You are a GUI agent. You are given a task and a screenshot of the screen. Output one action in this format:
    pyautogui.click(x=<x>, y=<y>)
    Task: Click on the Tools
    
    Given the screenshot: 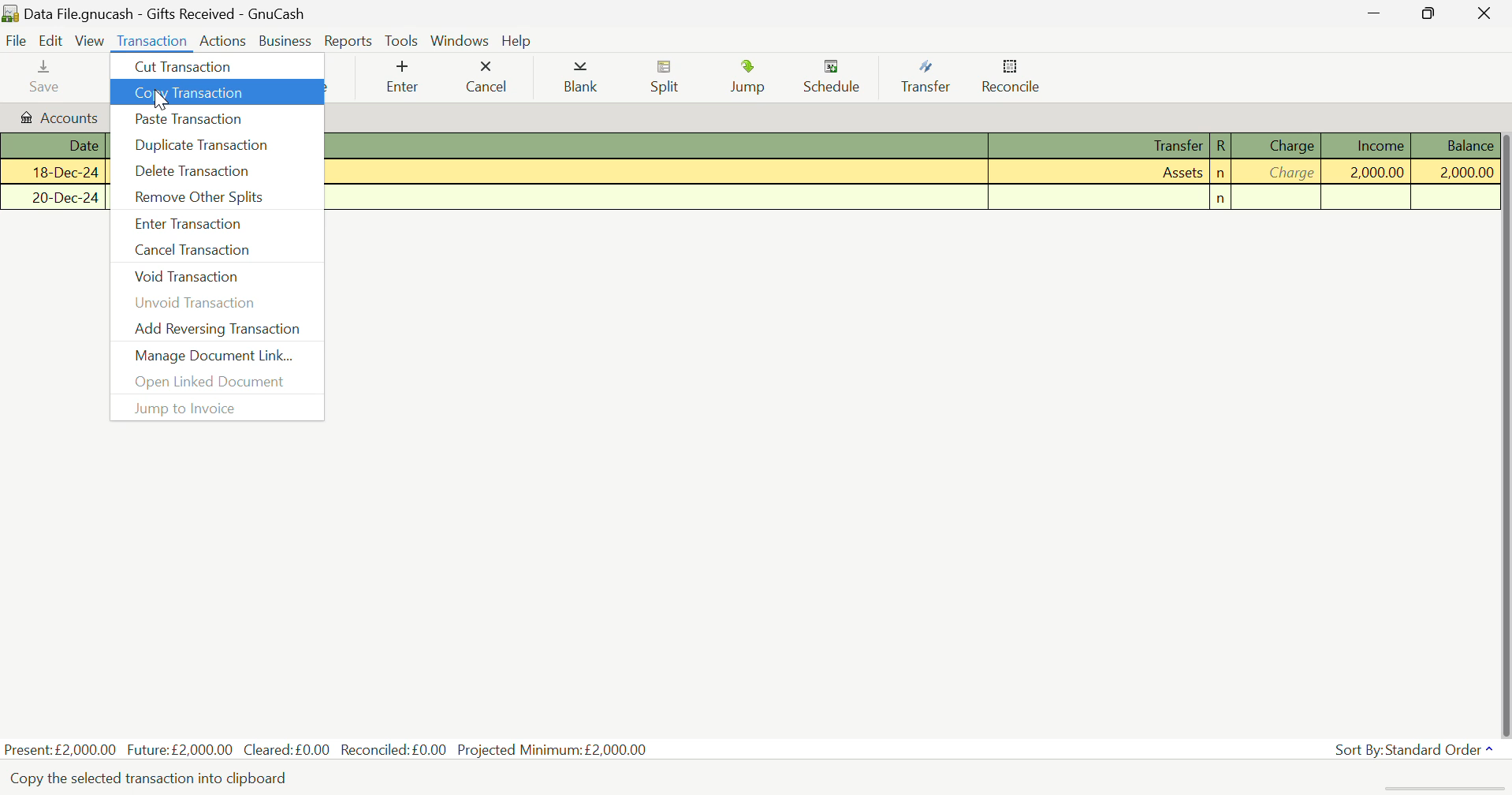 What is the action you would take?
    pyautogui.click(x=403, y=40)
    